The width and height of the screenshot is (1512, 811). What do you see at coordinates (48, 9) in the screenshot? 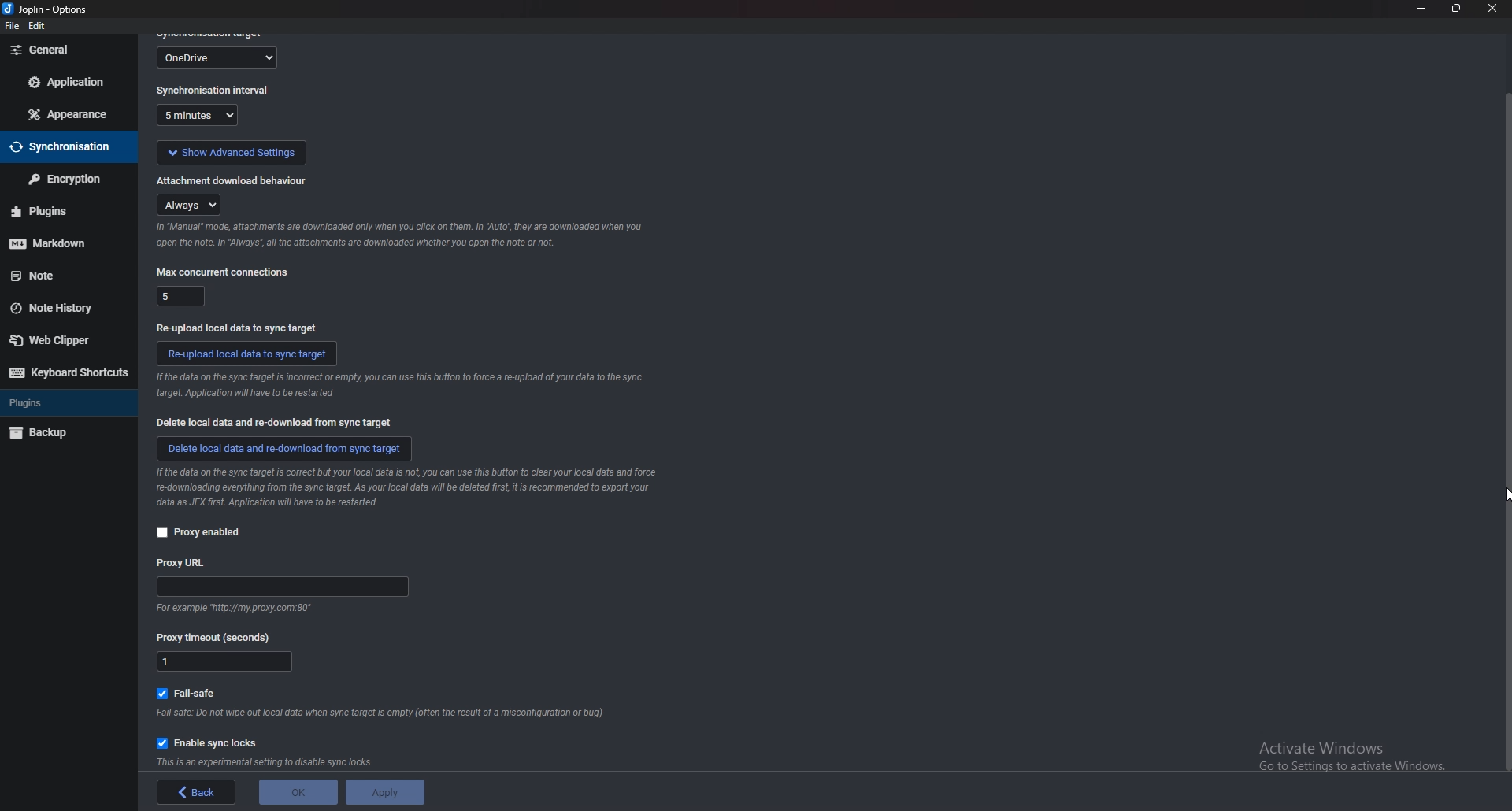
I see `options` at bounding box center [48, 9].